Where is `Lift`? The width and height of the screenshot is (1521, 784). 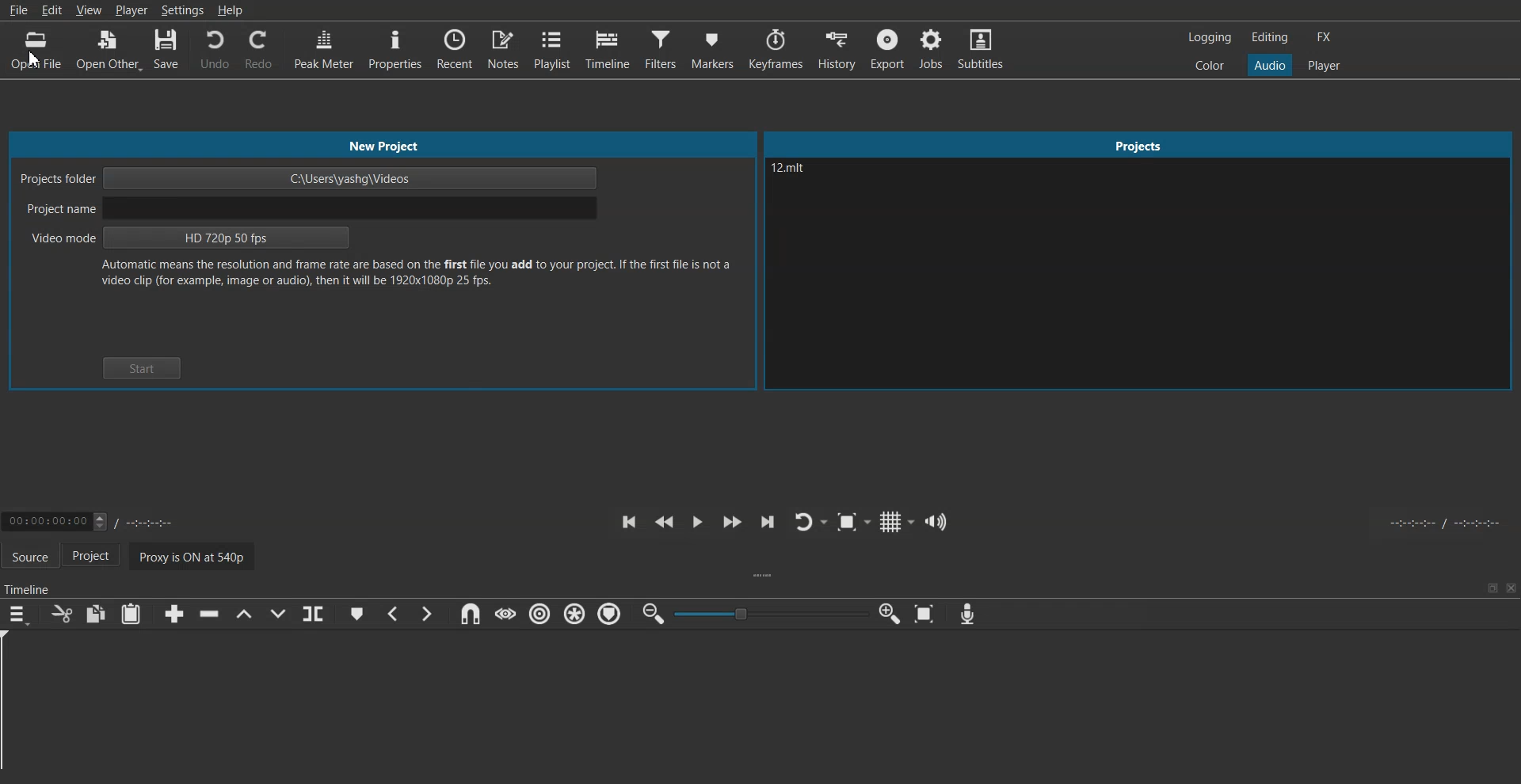
Lift is located at coordinates (243, 614).